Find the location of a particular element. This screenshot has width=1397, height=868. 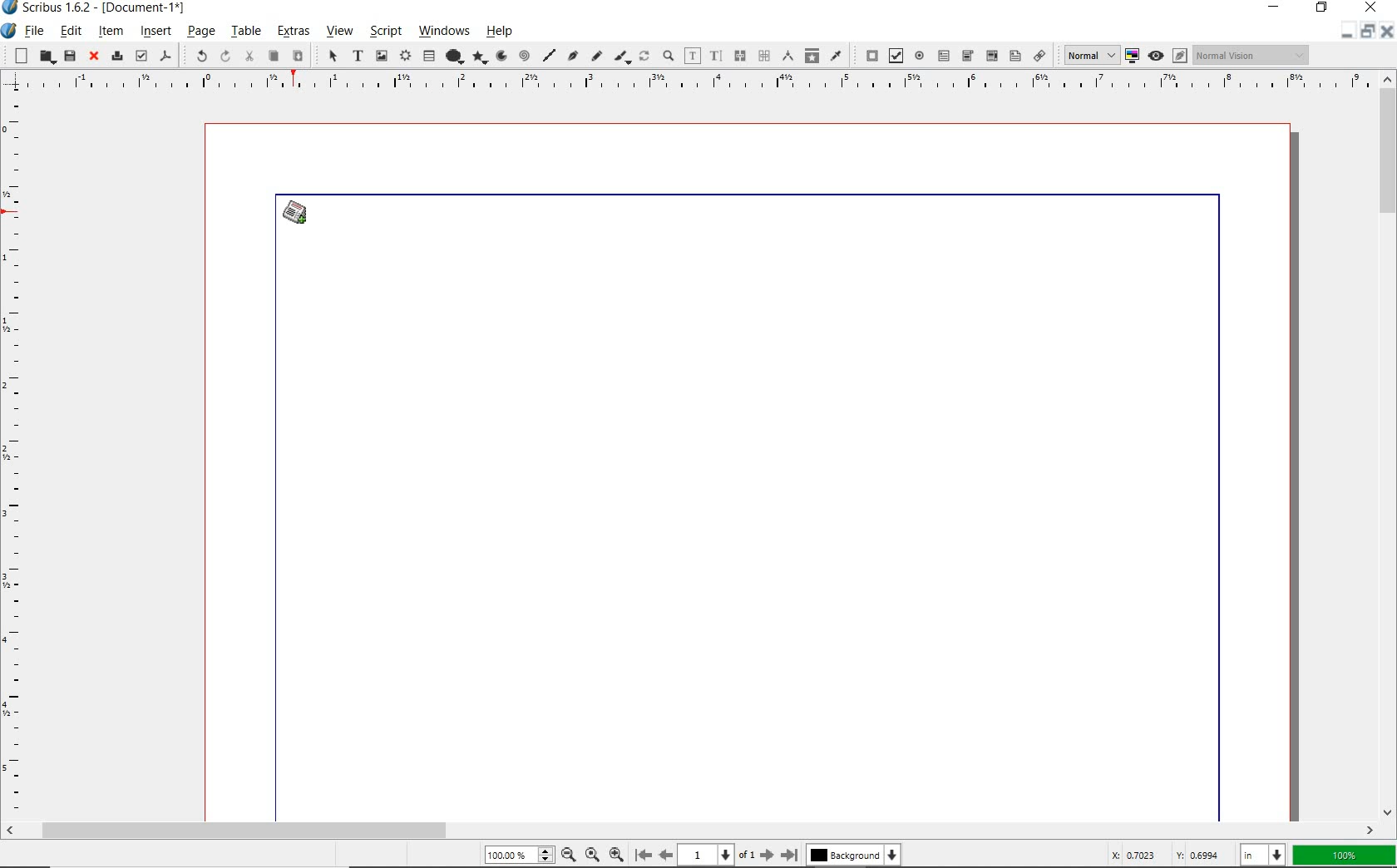

windows is located at coordinates (443, 30).